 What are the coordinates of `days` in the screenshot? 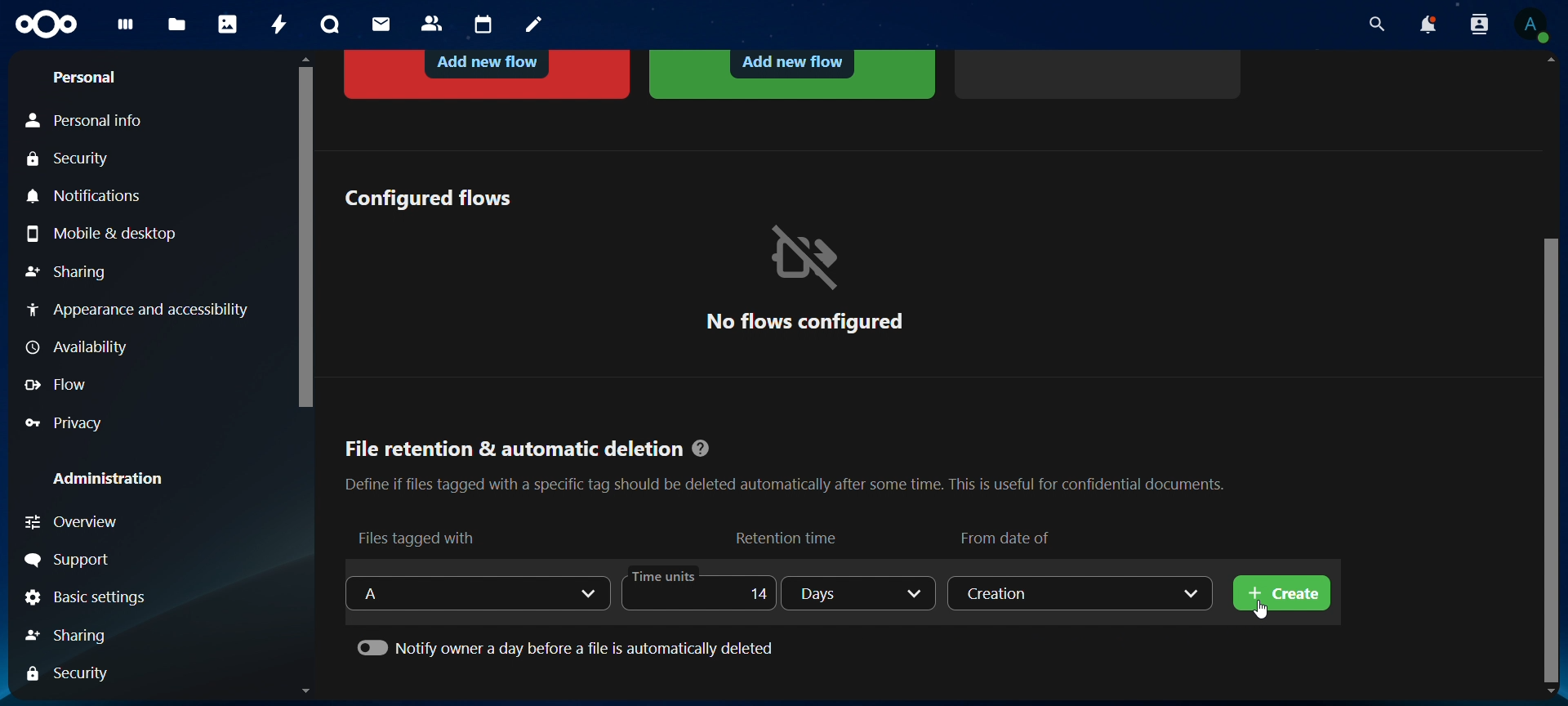 It's located at (861, 593).